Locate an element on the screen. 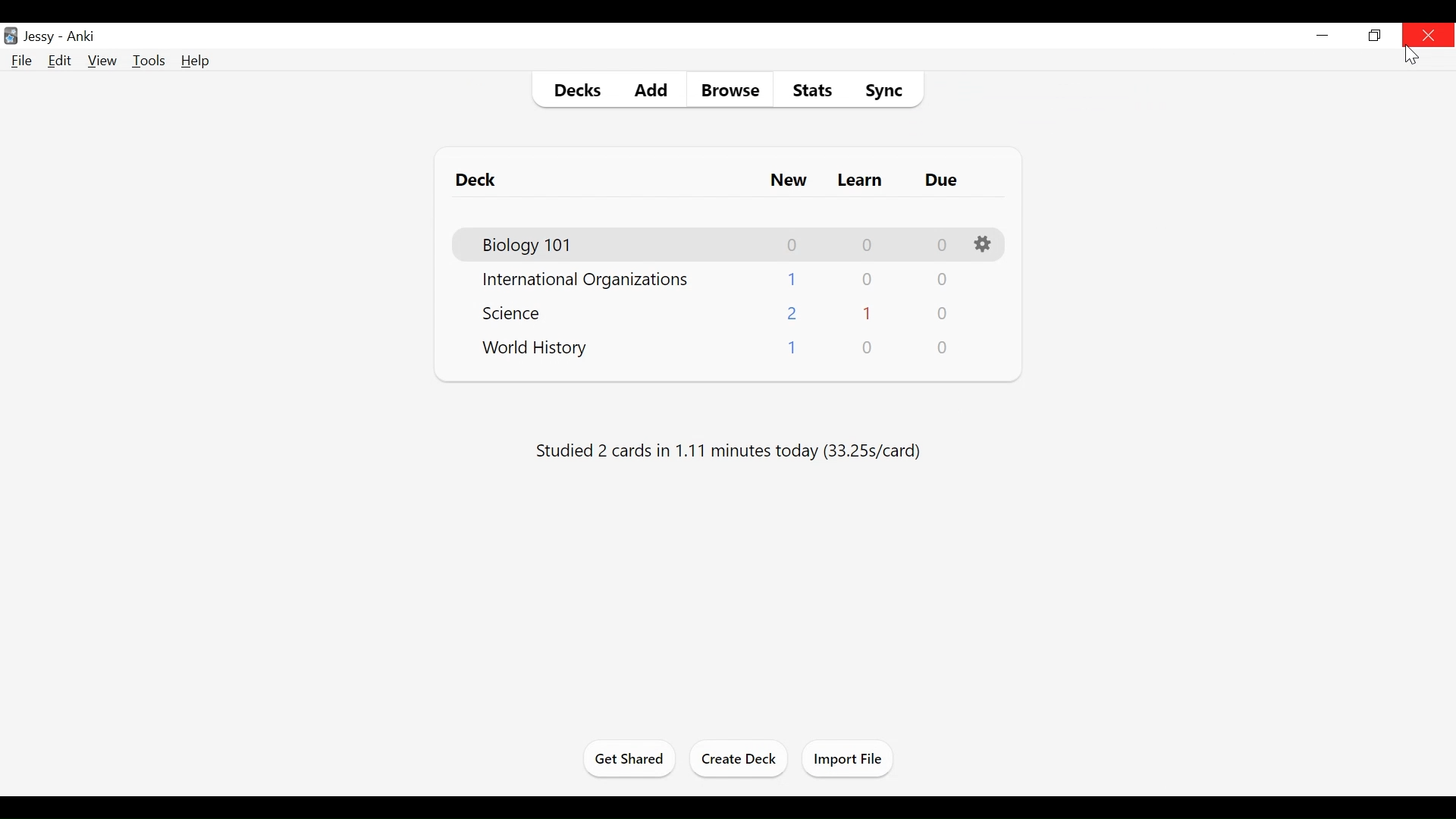 Image resolution: width=1456 pixels, height=819 pixels. Due Cards Count is located at coordinates (941, 315).